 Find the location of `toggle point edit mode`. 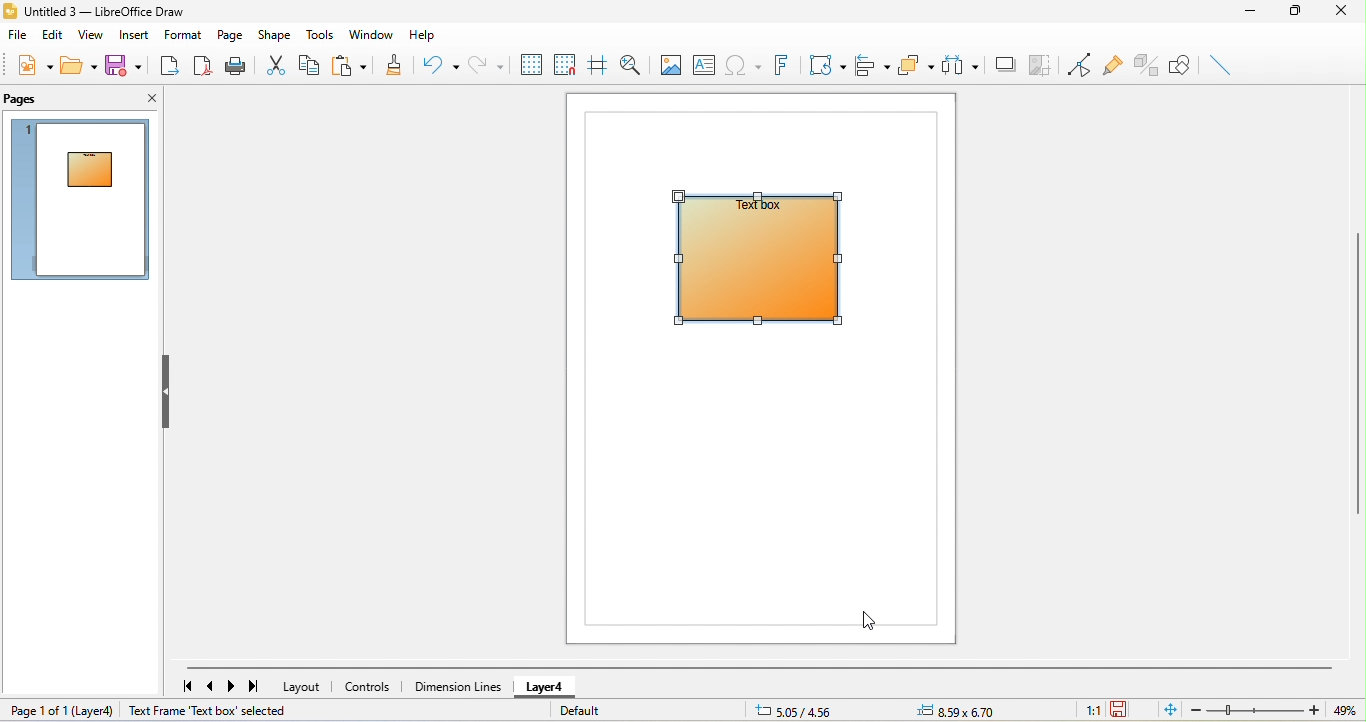

toggle point edit mode is located at coordinates (1080, 65).